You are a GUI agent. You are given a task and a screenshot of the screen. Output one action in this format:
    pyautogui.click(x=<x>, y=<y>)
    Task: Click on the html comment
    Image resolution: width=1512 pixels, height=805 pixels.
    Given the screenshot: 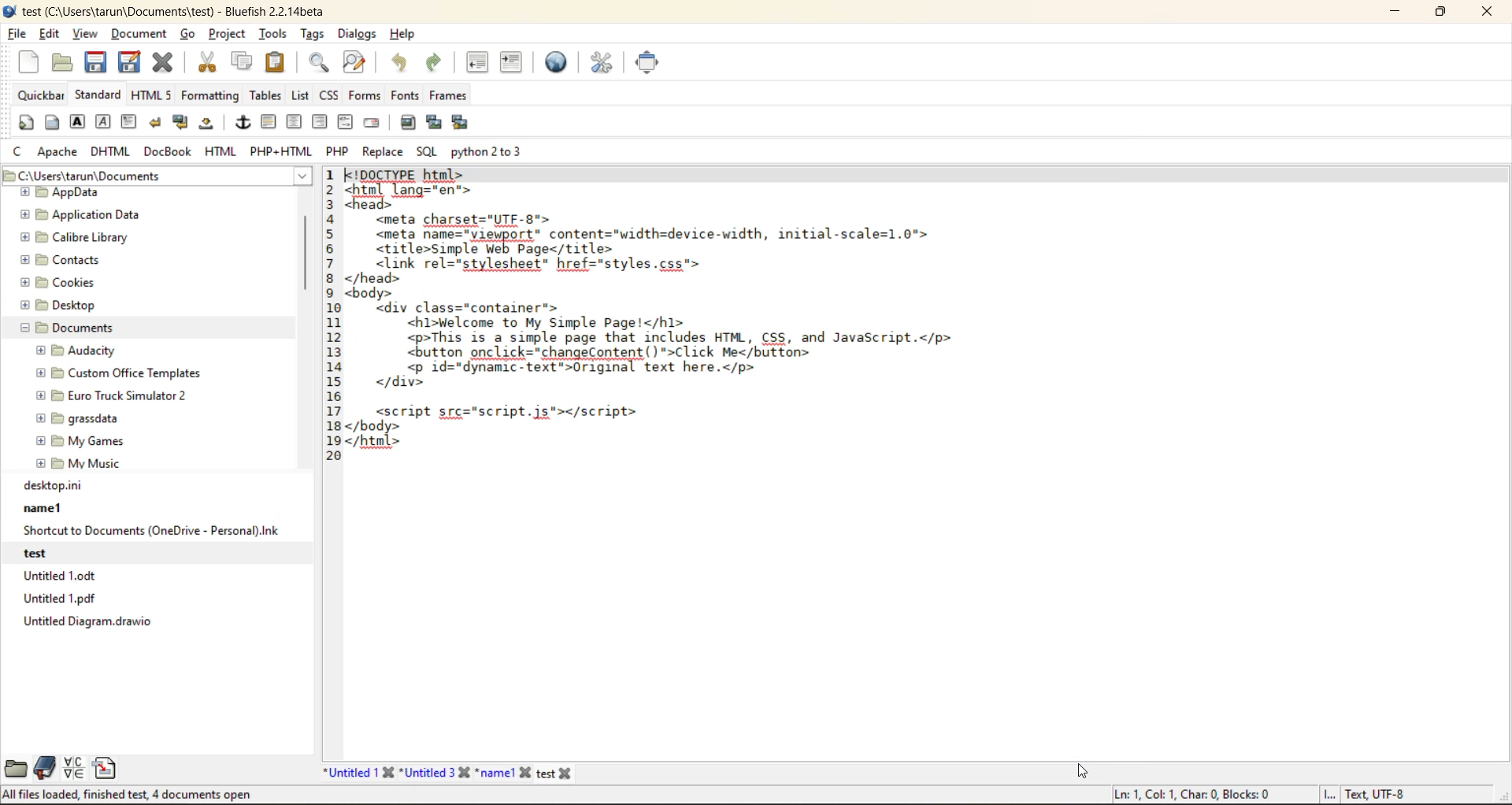 What is the action you would take?
    pyautogui.click(x=345, y=122)
    